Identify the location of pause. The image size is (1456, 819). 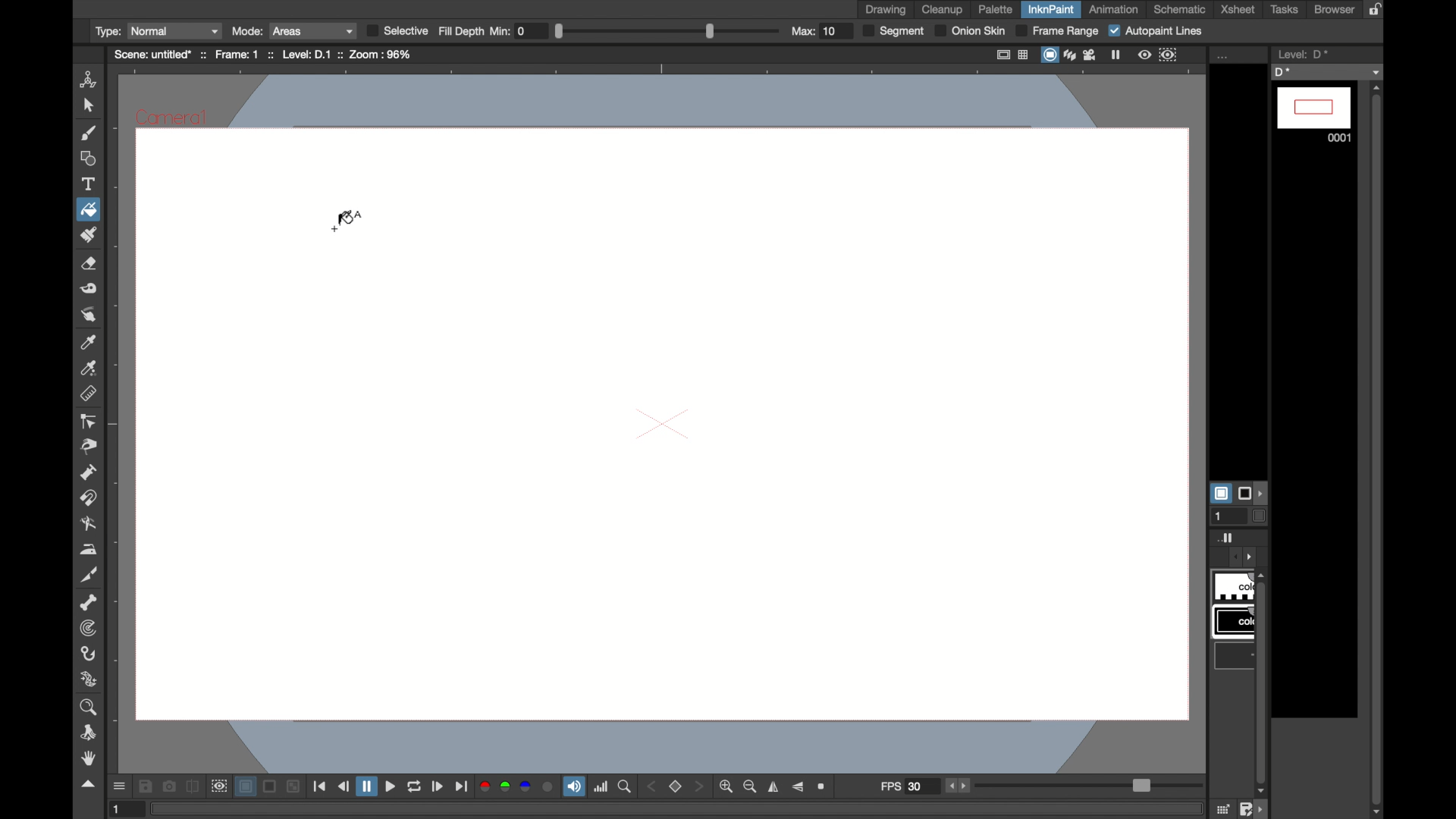
(368, 786).